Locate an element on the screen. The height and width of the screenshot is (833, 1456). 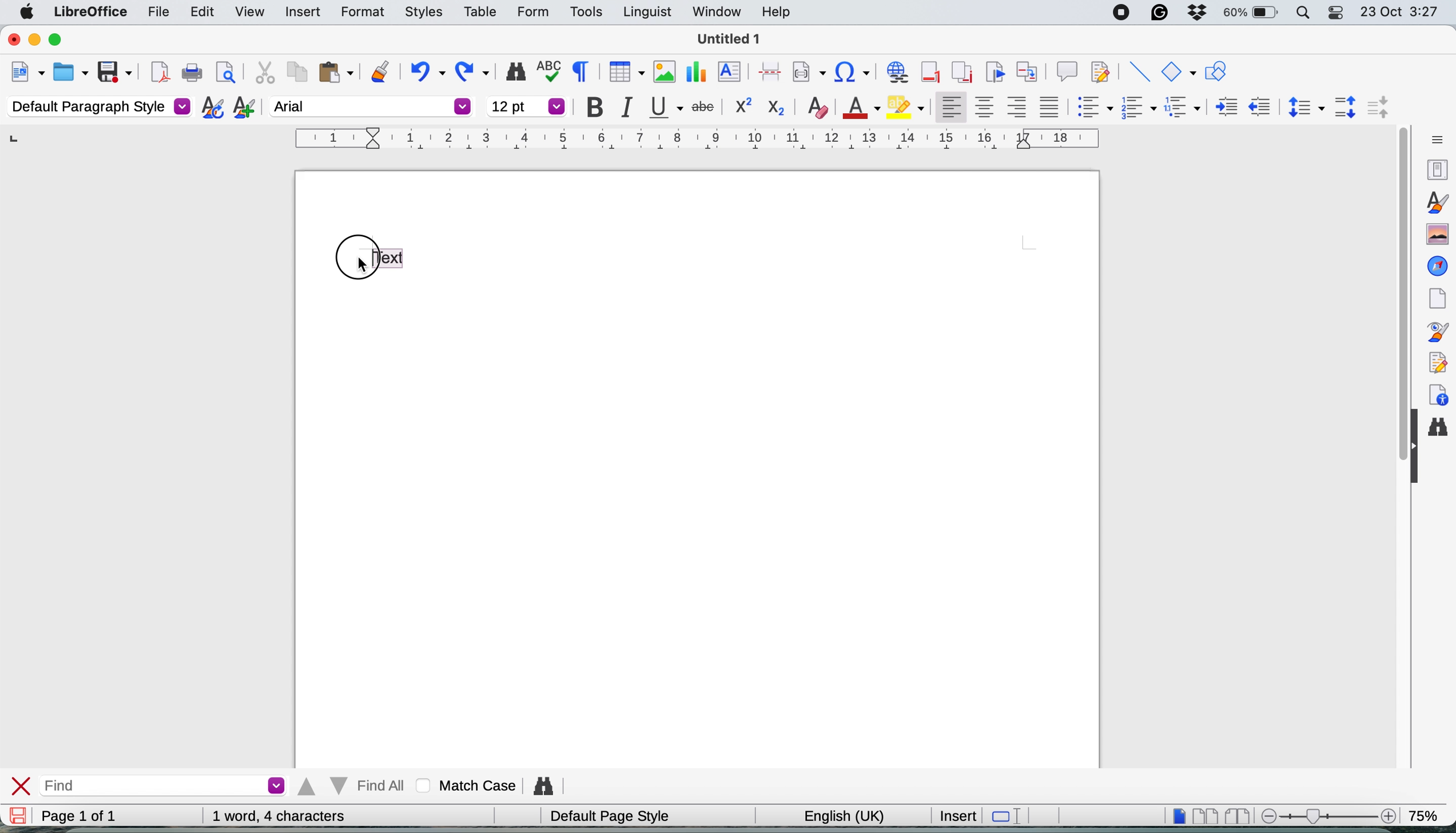
file is located at coordinates (153, 13).